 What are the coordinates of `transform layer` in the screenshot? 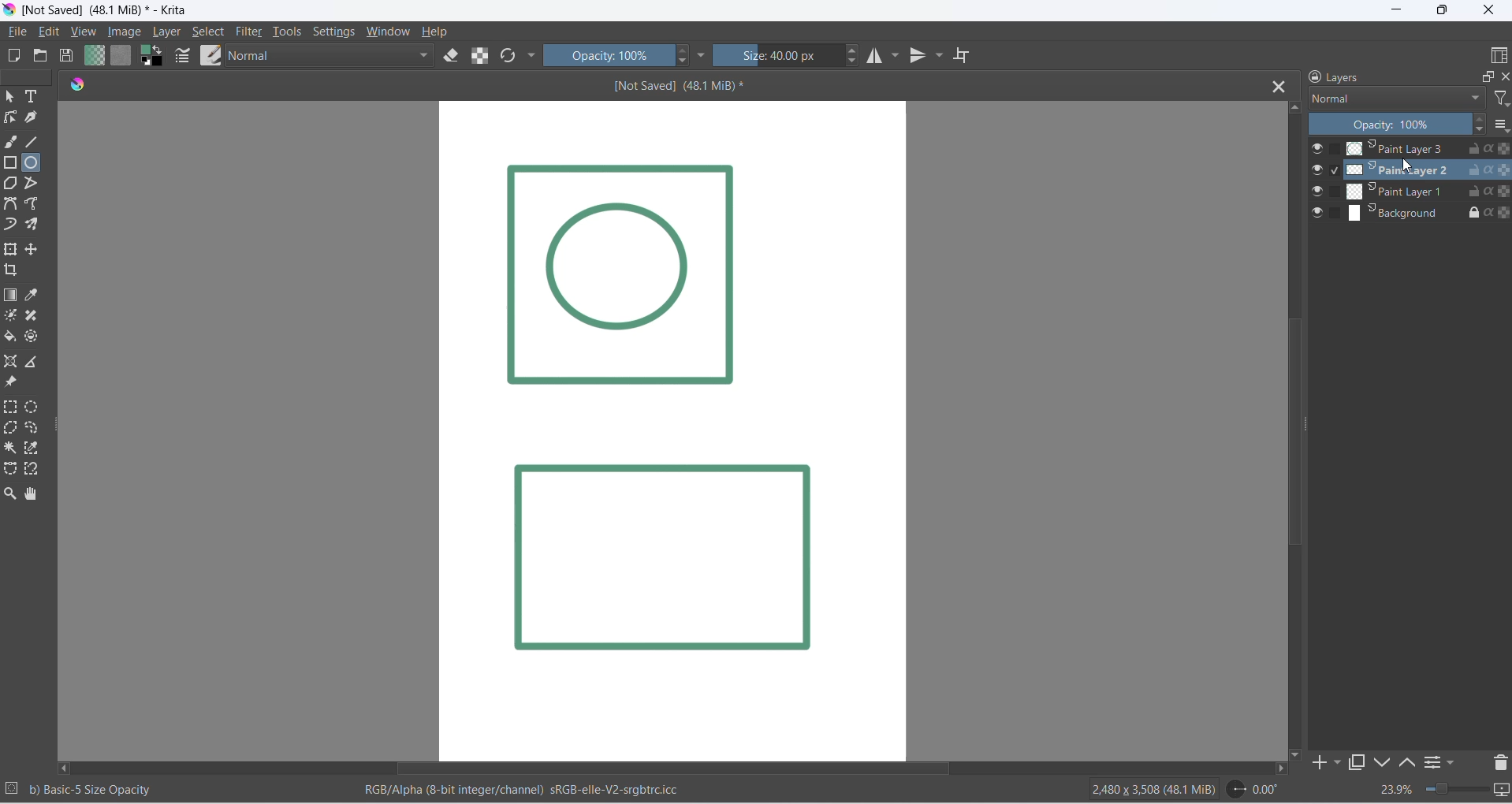 It's located at (10, 248).